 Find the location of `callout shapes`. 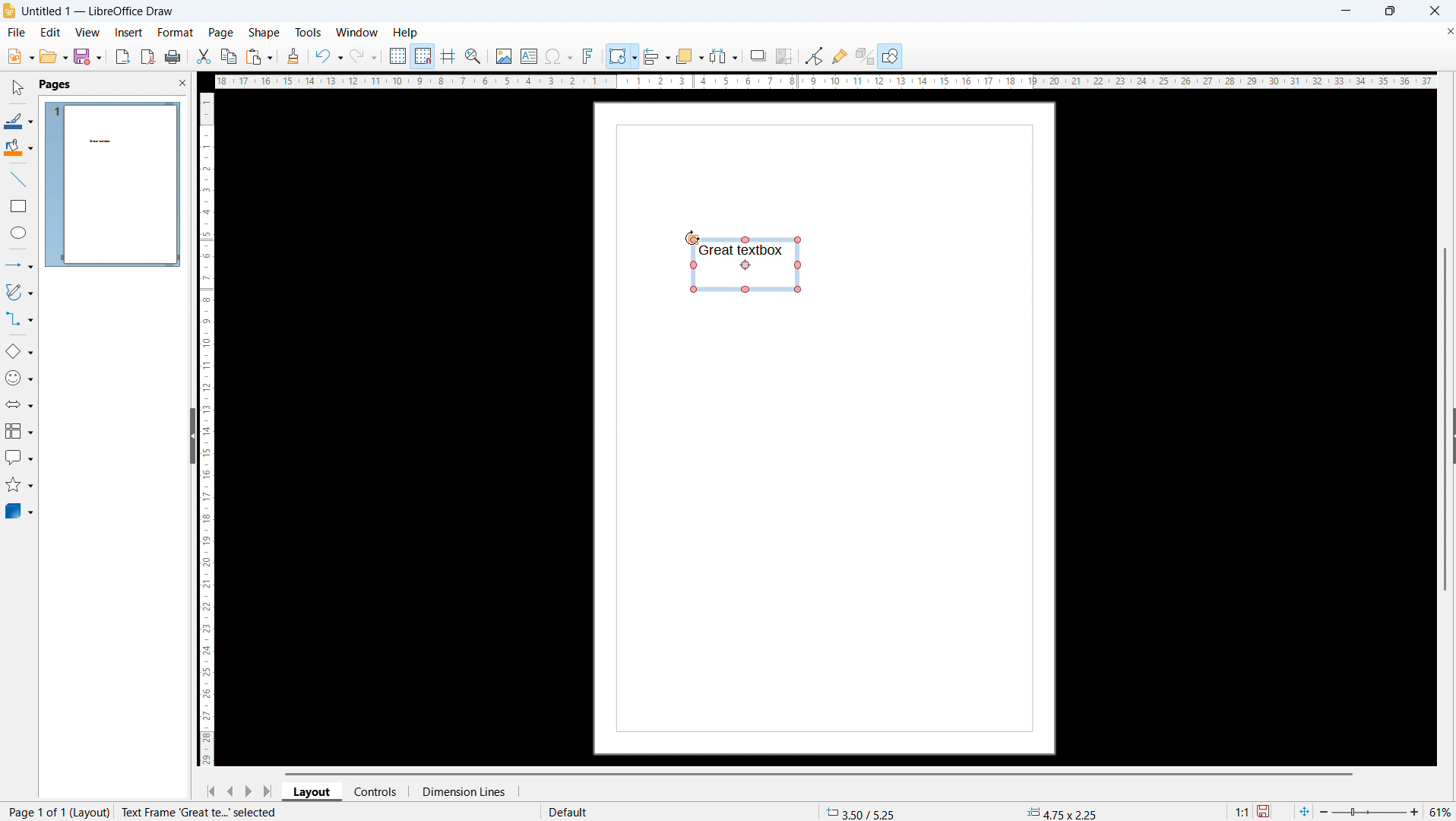

callout shapes is located at coordinates (18, 458).